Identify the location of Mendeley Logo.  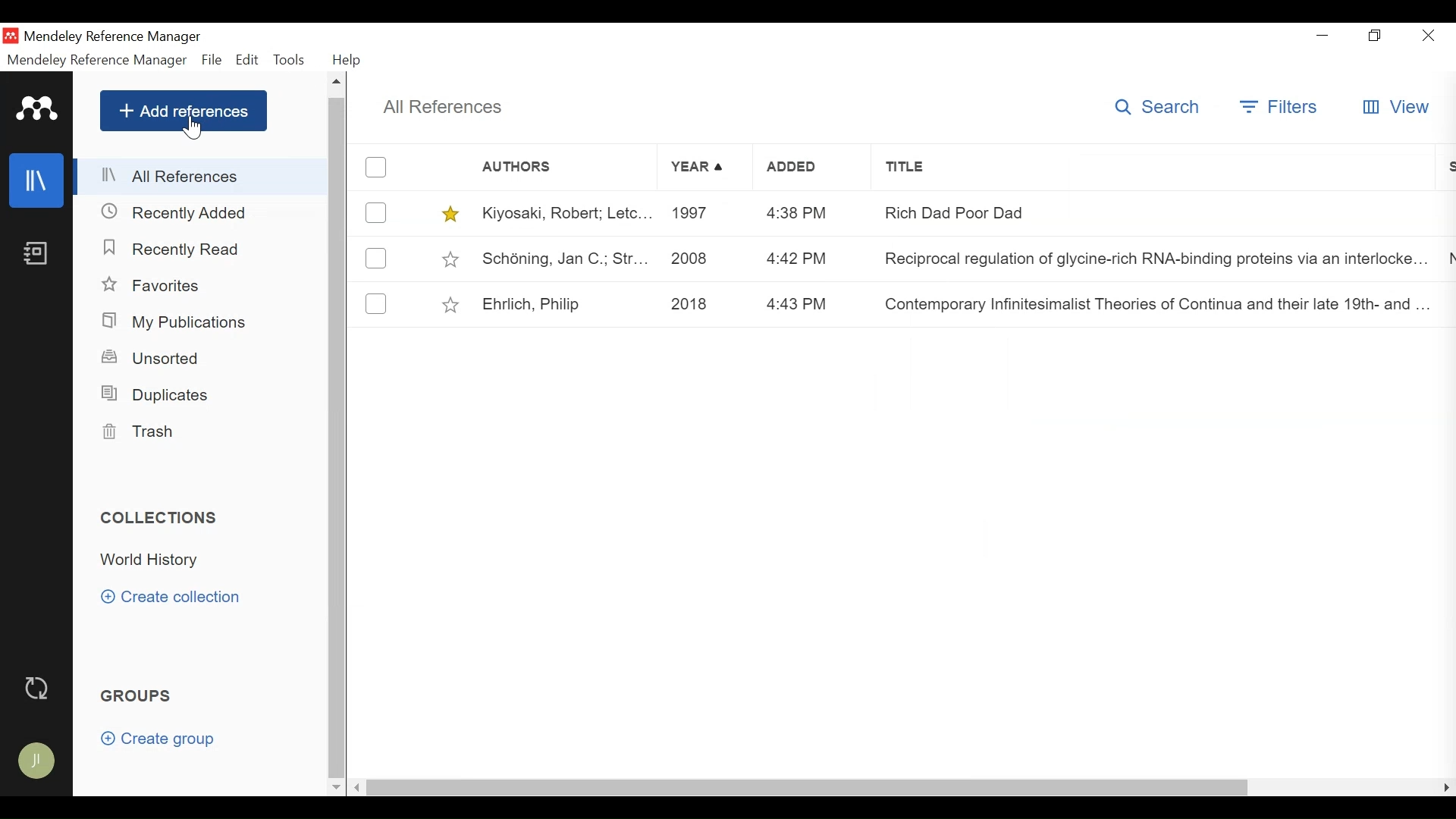
(37, 108).